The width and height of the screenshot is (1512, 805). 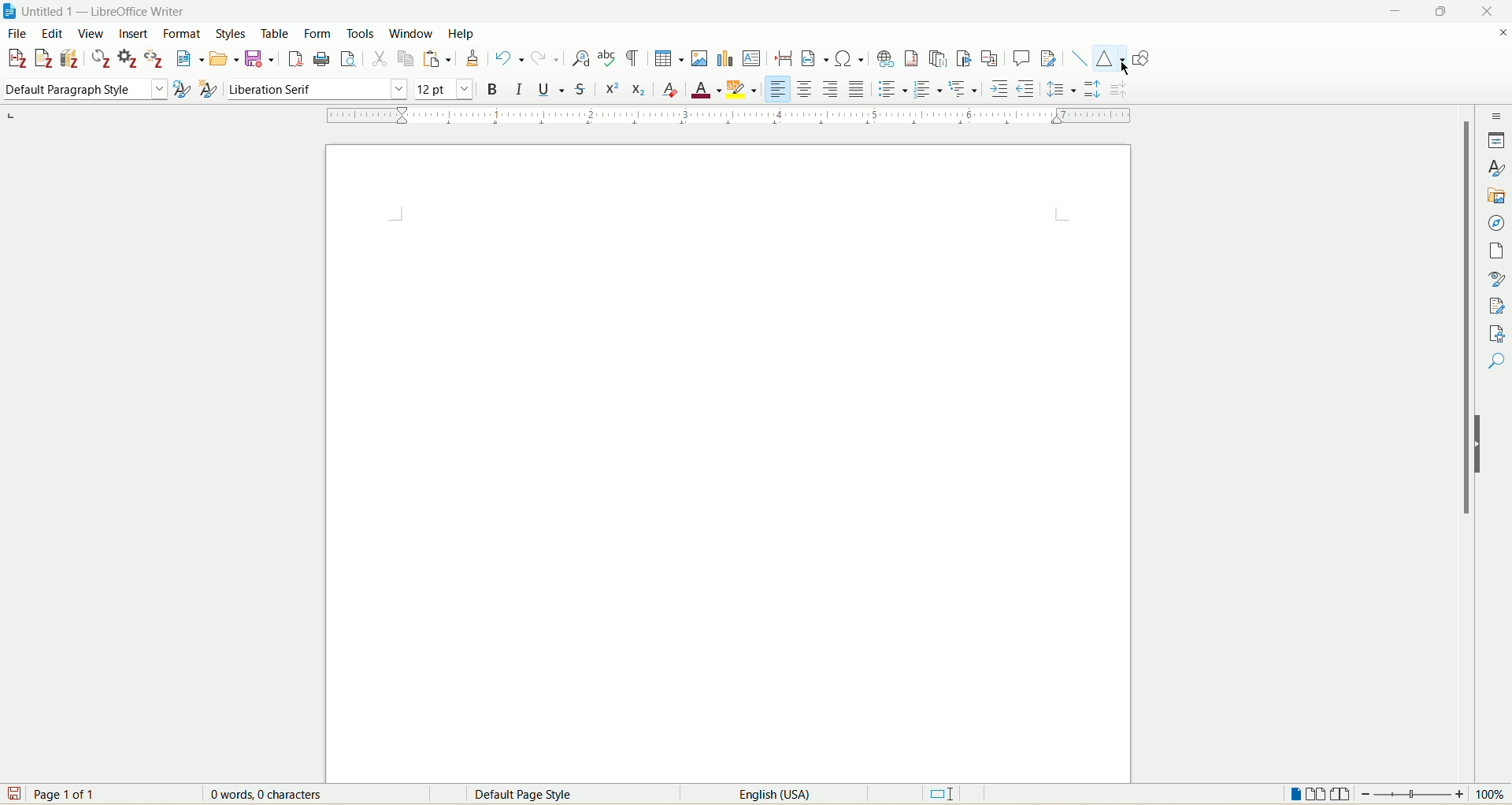 I want to click on styles, so click(x=1498, y=167).